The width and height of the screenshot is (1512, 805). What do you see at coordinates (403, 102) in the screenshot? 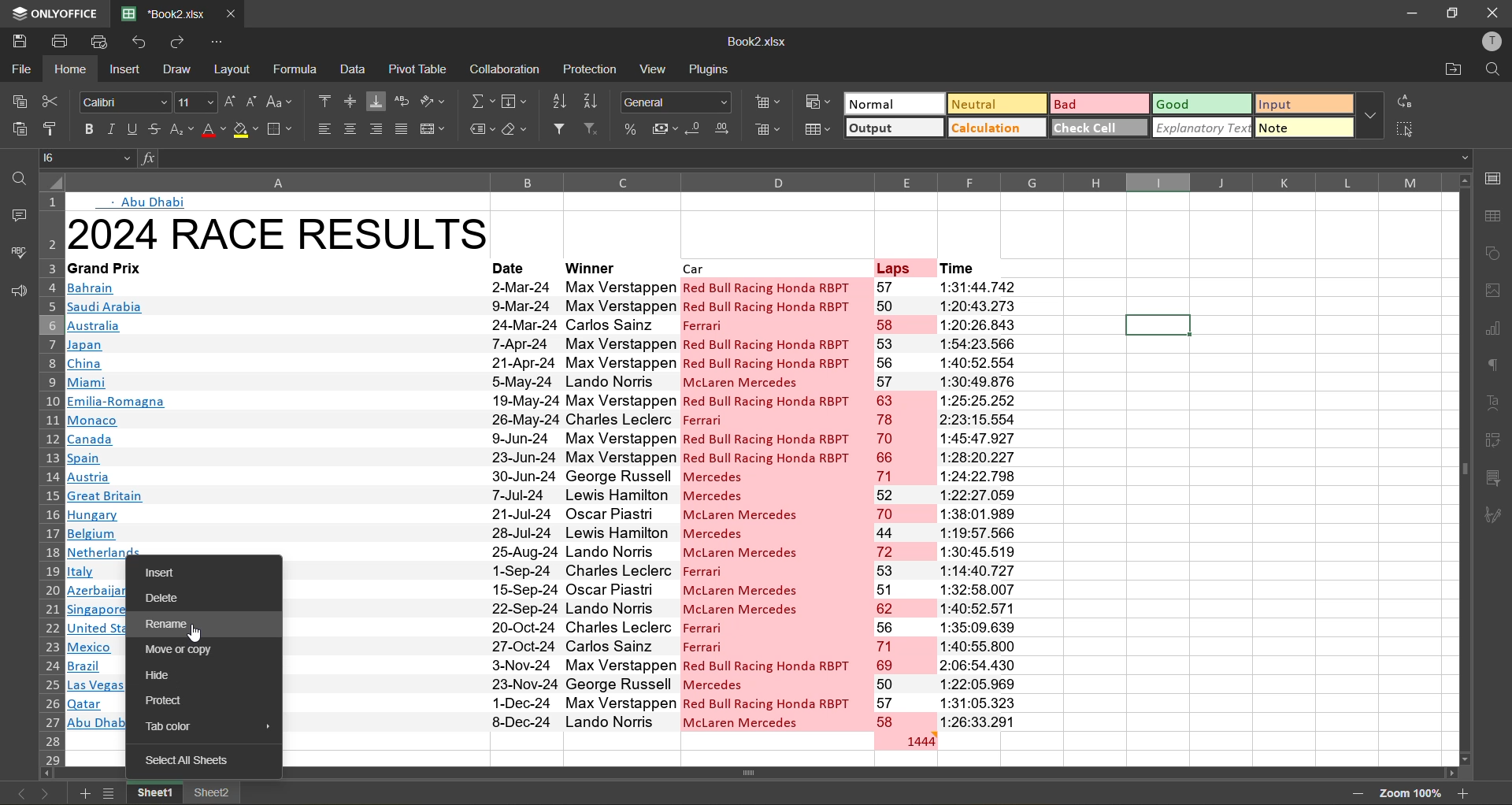
I see `wrap text` at bounding box center [403, 102].